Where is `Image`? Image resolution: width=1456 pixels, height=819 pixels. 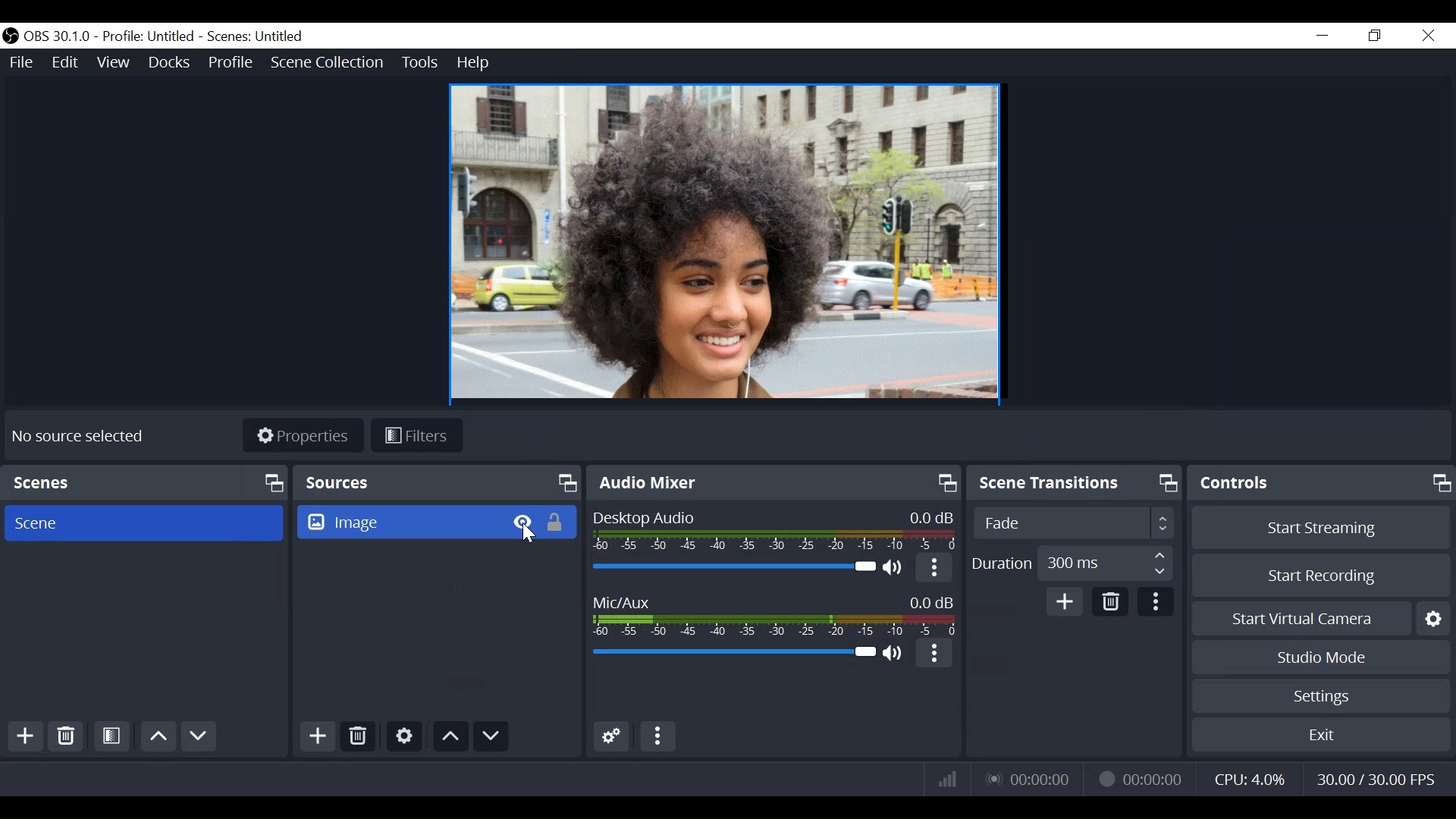
Image is located at coordinates (399, 522).